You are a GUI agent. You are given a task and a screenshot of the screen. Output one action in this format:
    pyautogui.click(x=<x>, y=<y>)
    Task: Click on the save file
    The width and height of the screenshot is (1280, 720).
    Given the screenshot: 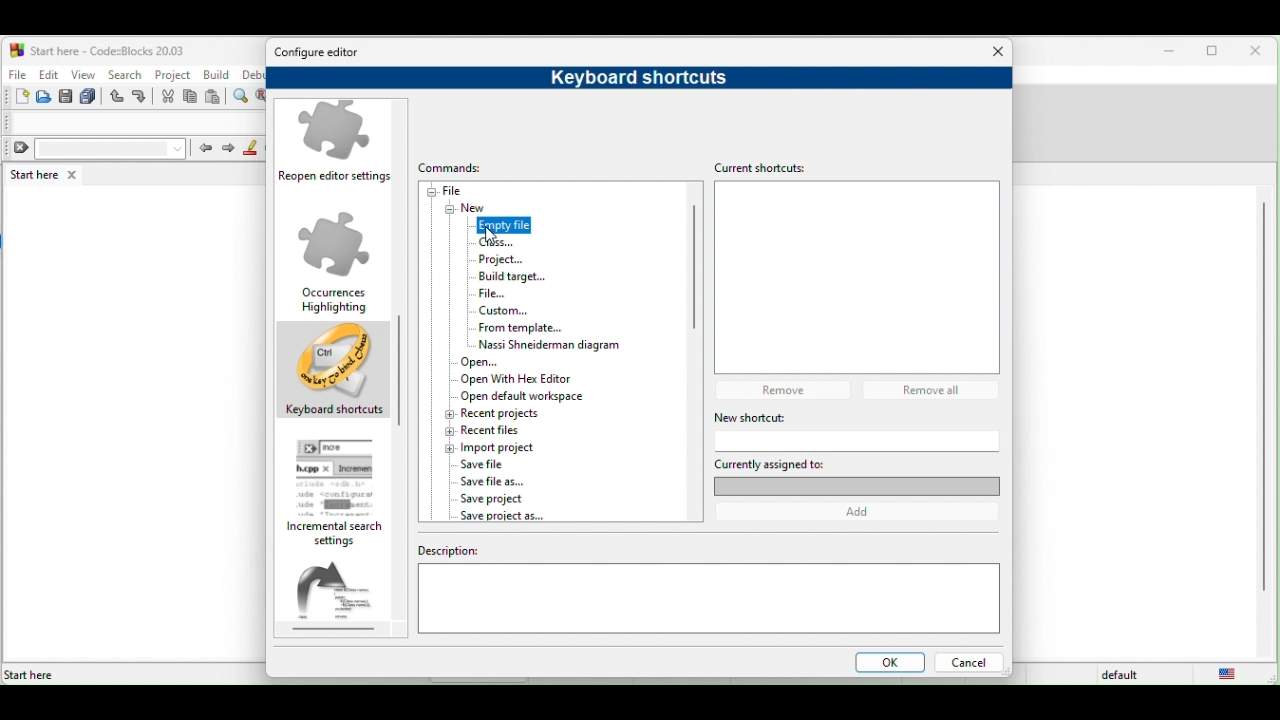 What is the action you would take?
    pyautogui.click(x=485, y=465)
    